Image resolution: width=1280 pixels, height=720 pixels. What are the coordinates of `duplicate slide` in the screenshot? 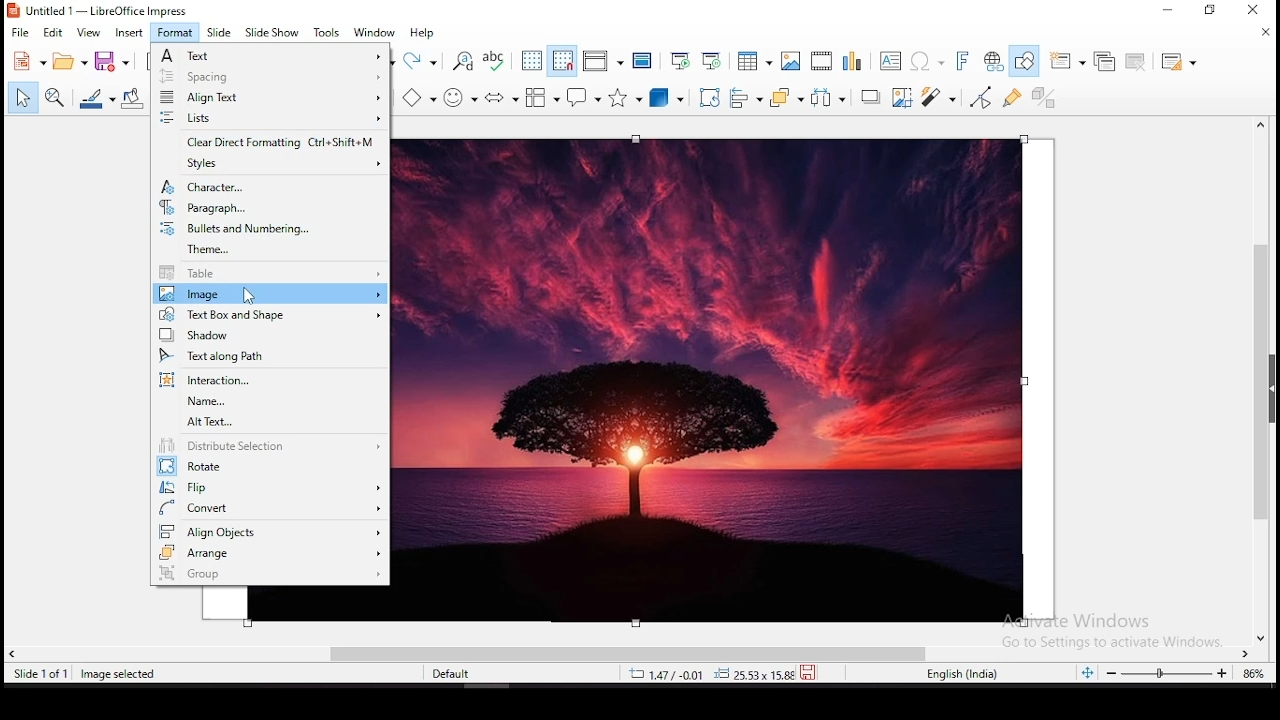 It's located at (1102, 60).